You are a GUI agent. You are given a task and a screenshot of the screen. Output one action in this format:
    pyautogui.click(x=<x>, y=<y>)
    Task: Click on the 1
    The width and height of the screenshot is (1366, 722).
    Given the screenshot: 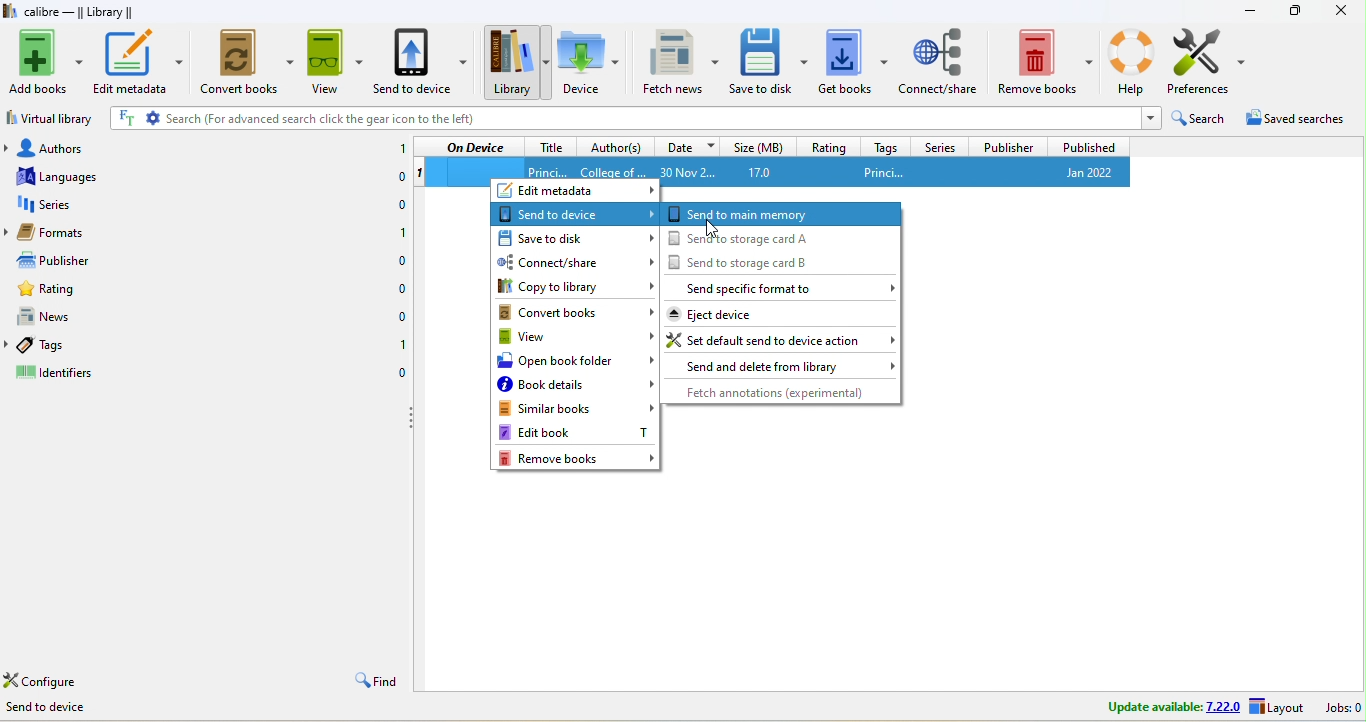 What is the action you would take?
    pyautogui.click(x=399, y=149)
    